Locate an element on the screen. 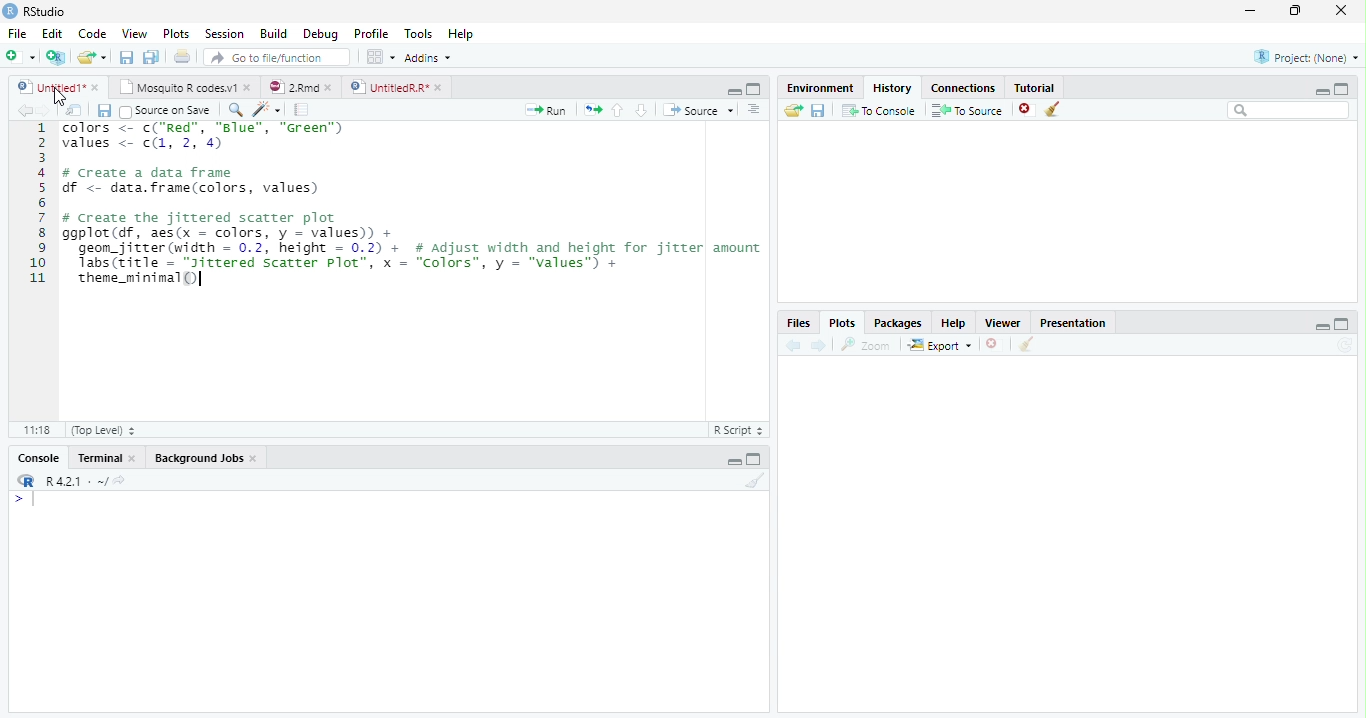 This screenshot has height=718, width=1366. RStudio is located at coordinates (35, 12).